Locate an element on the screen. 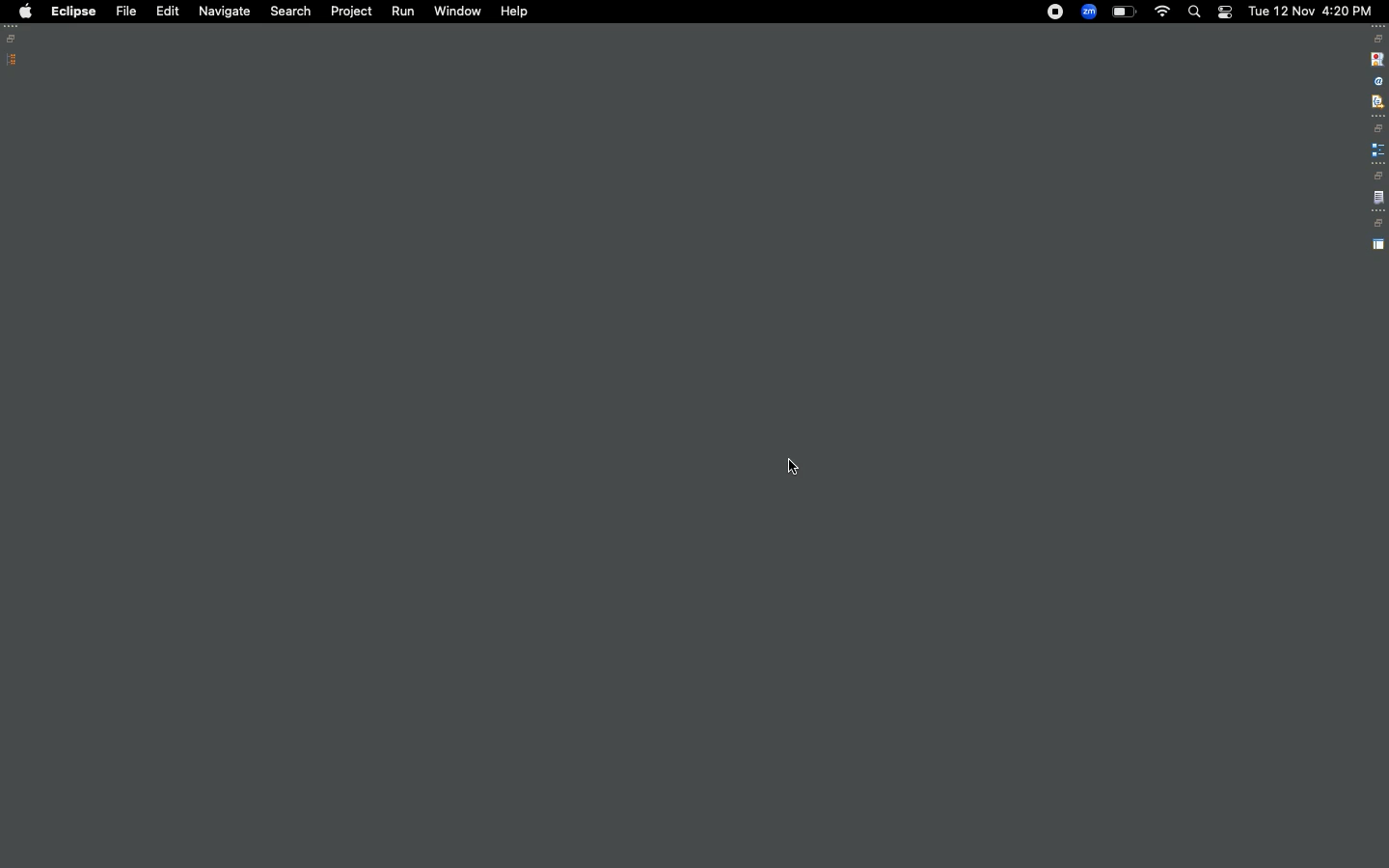 The width and height of the screenshot is (1389, 868). Search is located at coordinates (289, 12).